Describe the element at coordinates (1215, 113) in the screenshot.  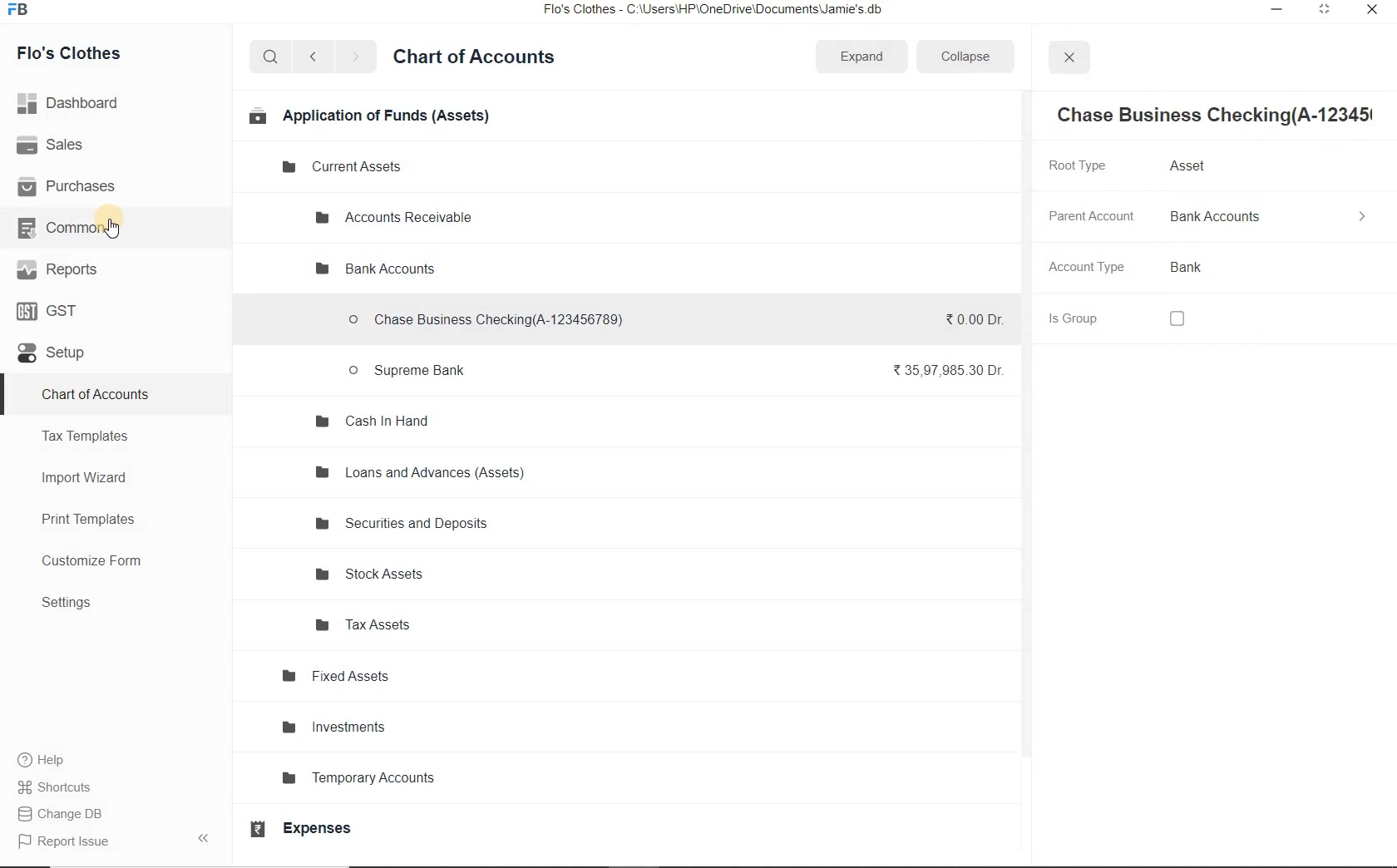
I see `Chase Business Checking(A-12345!` at that location.